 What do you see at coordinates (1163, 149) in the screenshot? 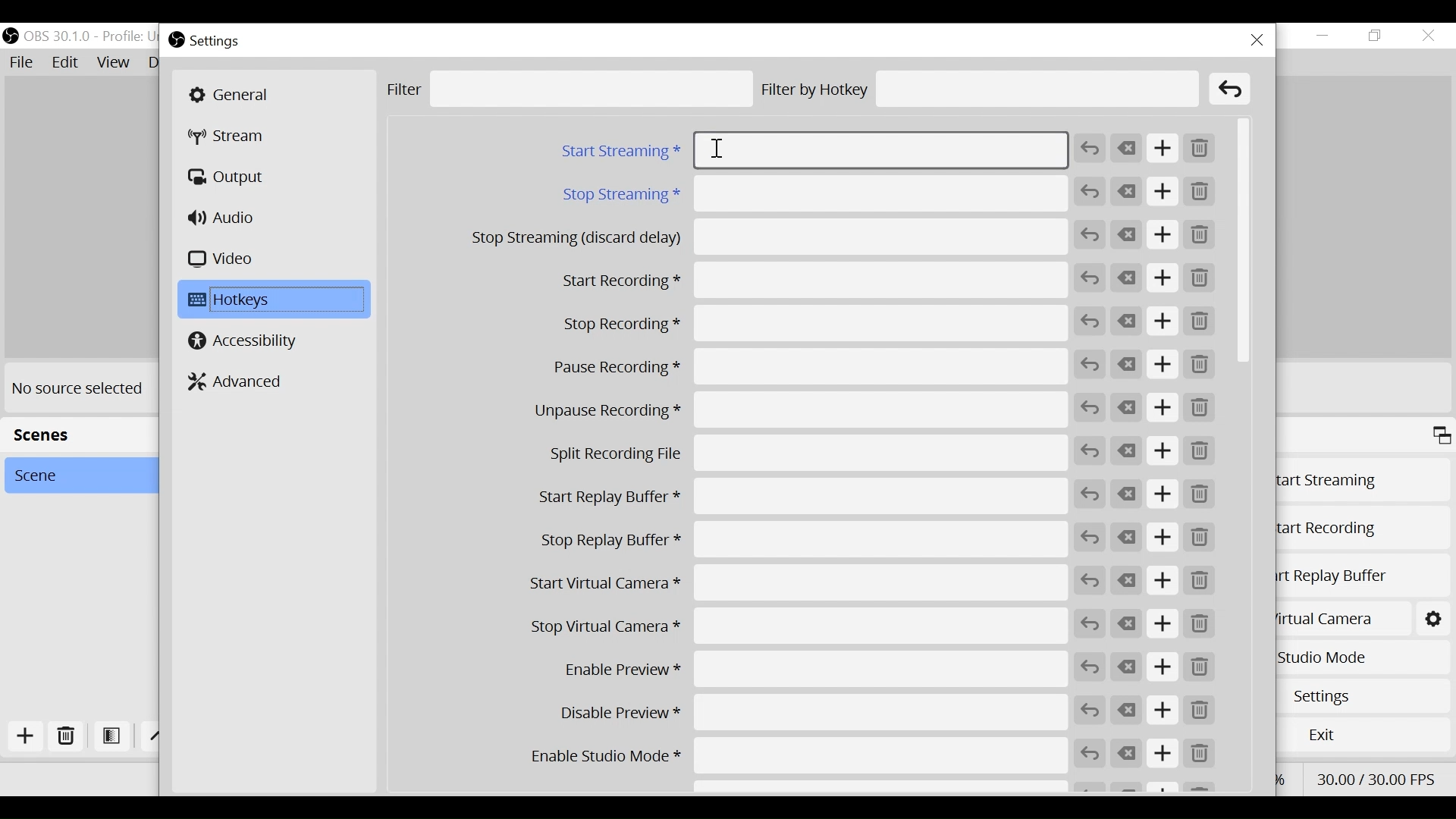
I see `Add` at bounding box center [1163, 149].